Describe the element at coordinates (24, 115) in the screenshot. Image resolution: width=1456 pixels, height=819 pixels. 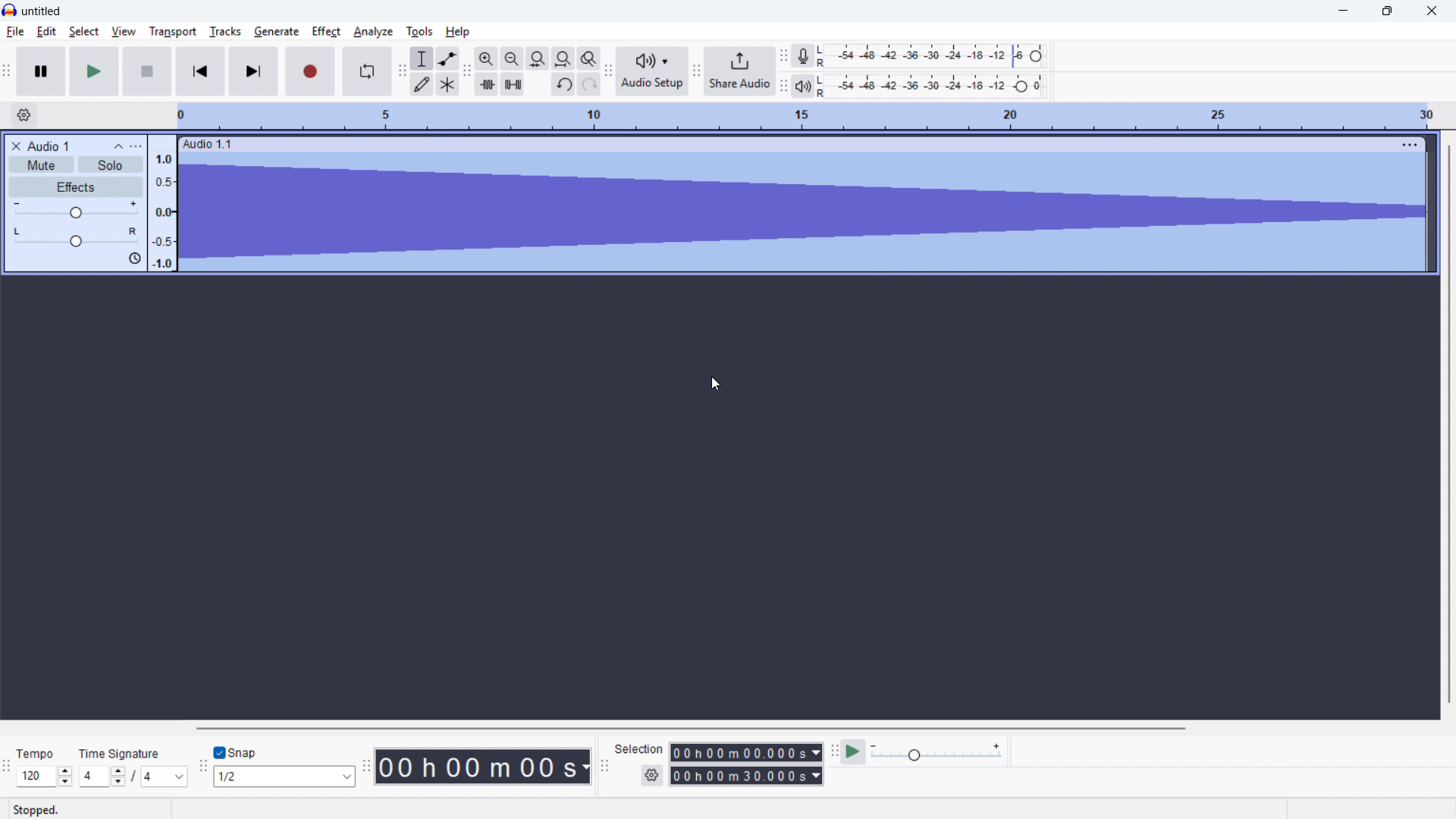
I see `Timeline settings ` at that location.